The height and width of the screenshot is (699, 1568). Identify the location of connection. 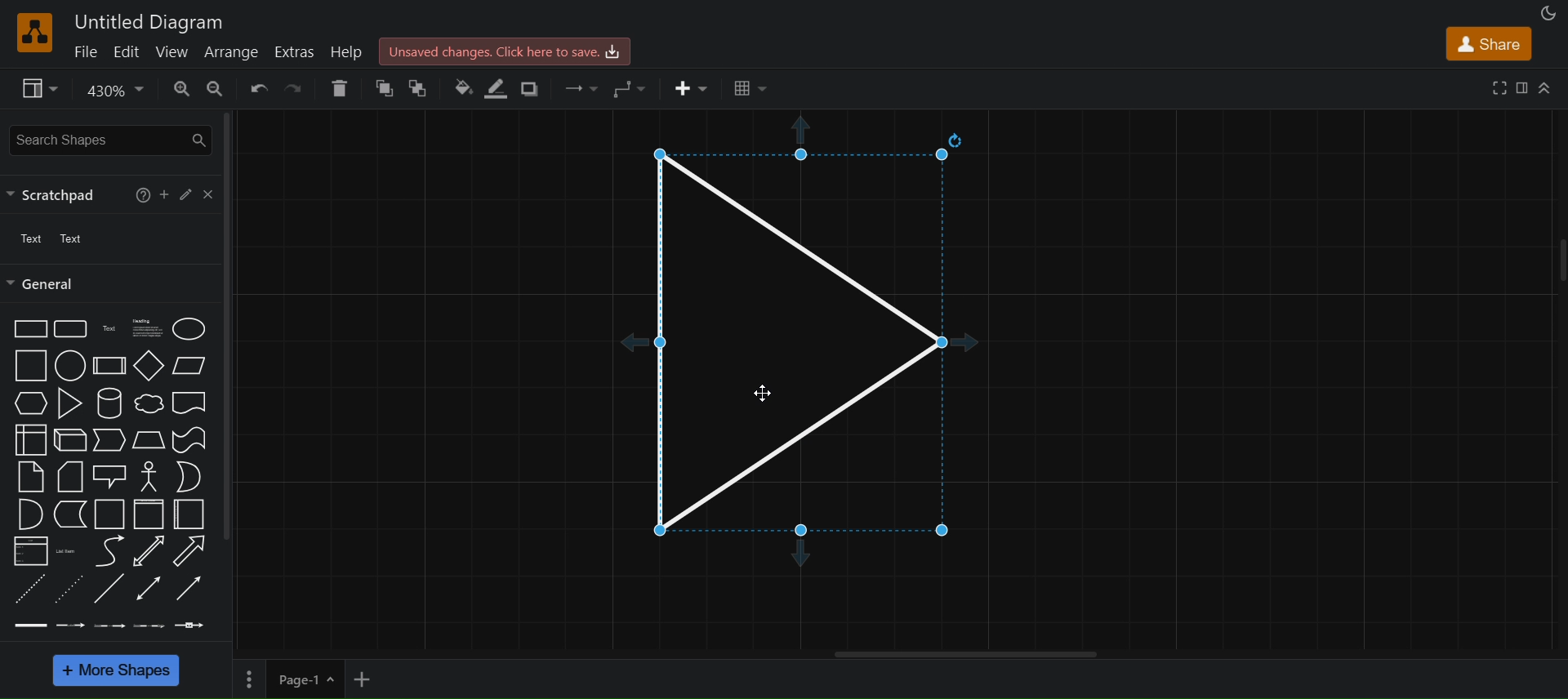
(581, 85).